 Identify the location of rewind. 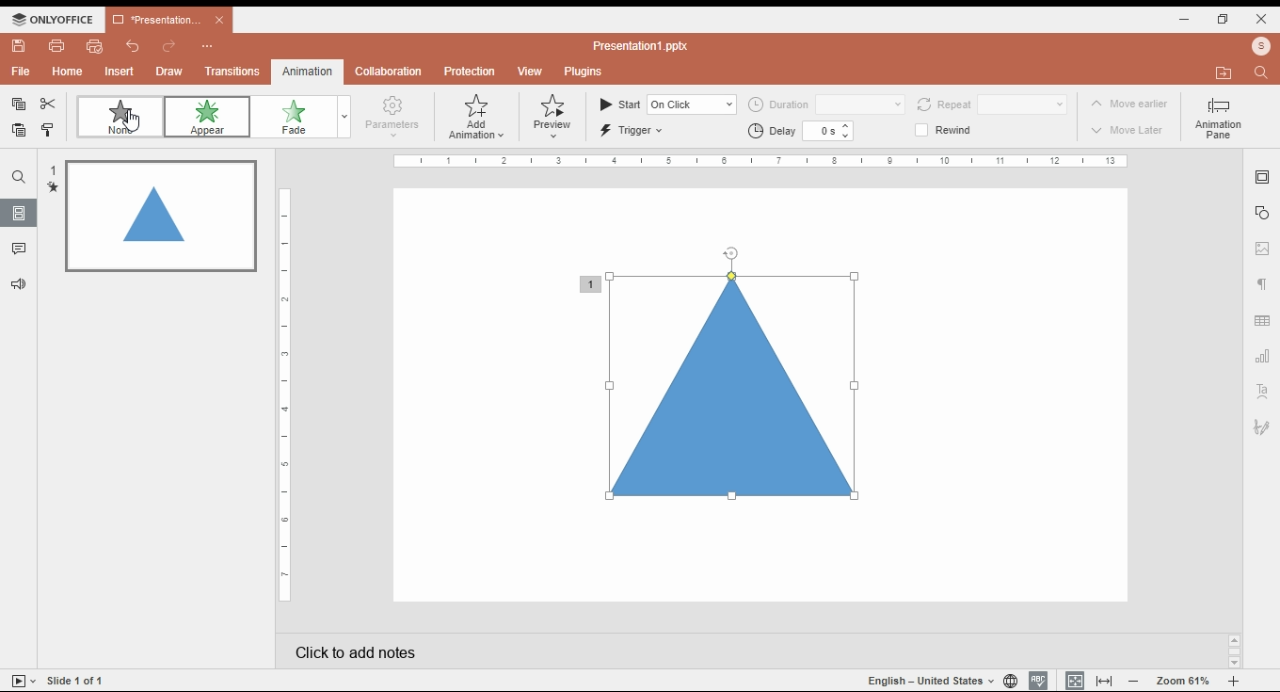
(945, 130).